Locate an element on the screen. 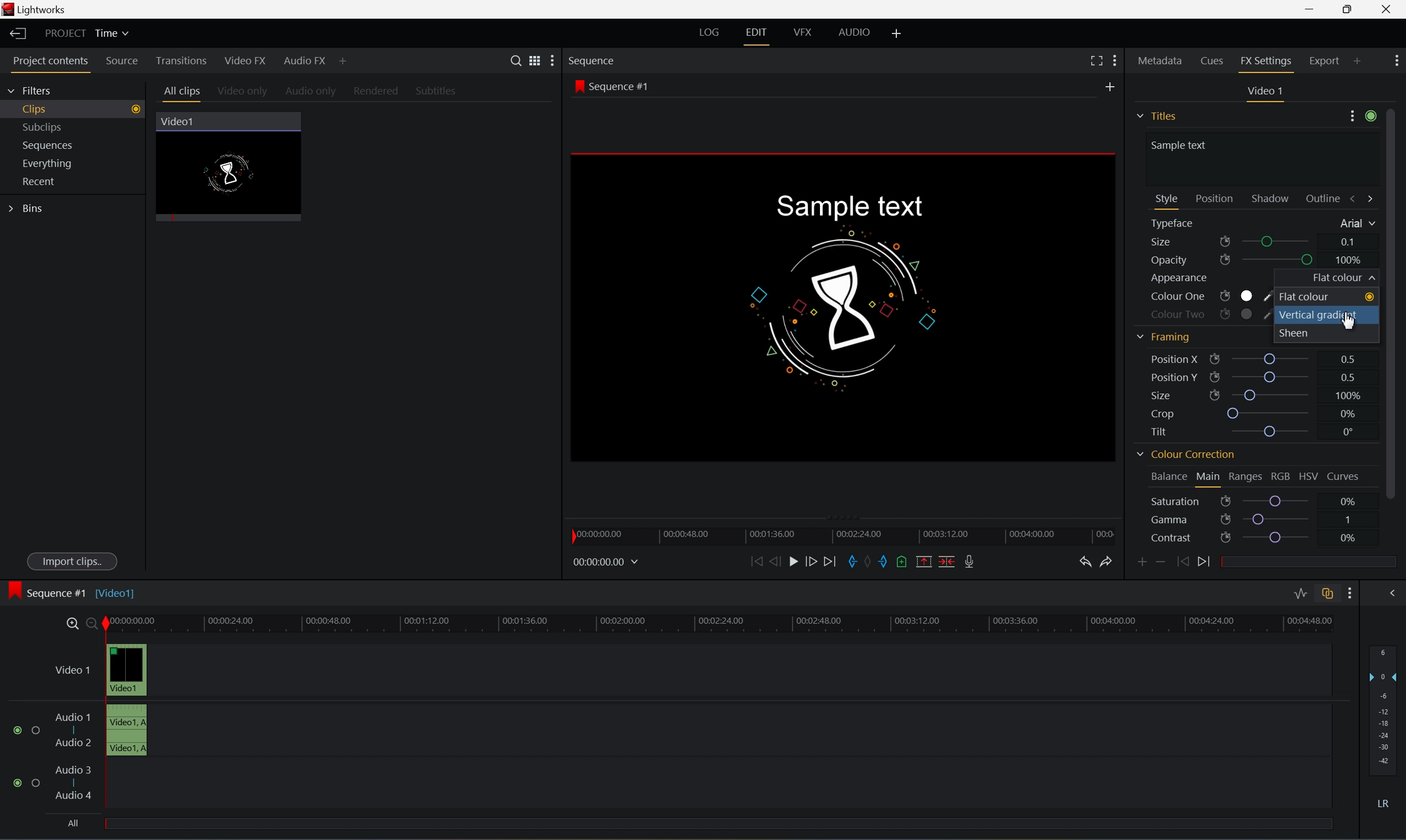  vertical gradient is located at coordinates (1318, 315).